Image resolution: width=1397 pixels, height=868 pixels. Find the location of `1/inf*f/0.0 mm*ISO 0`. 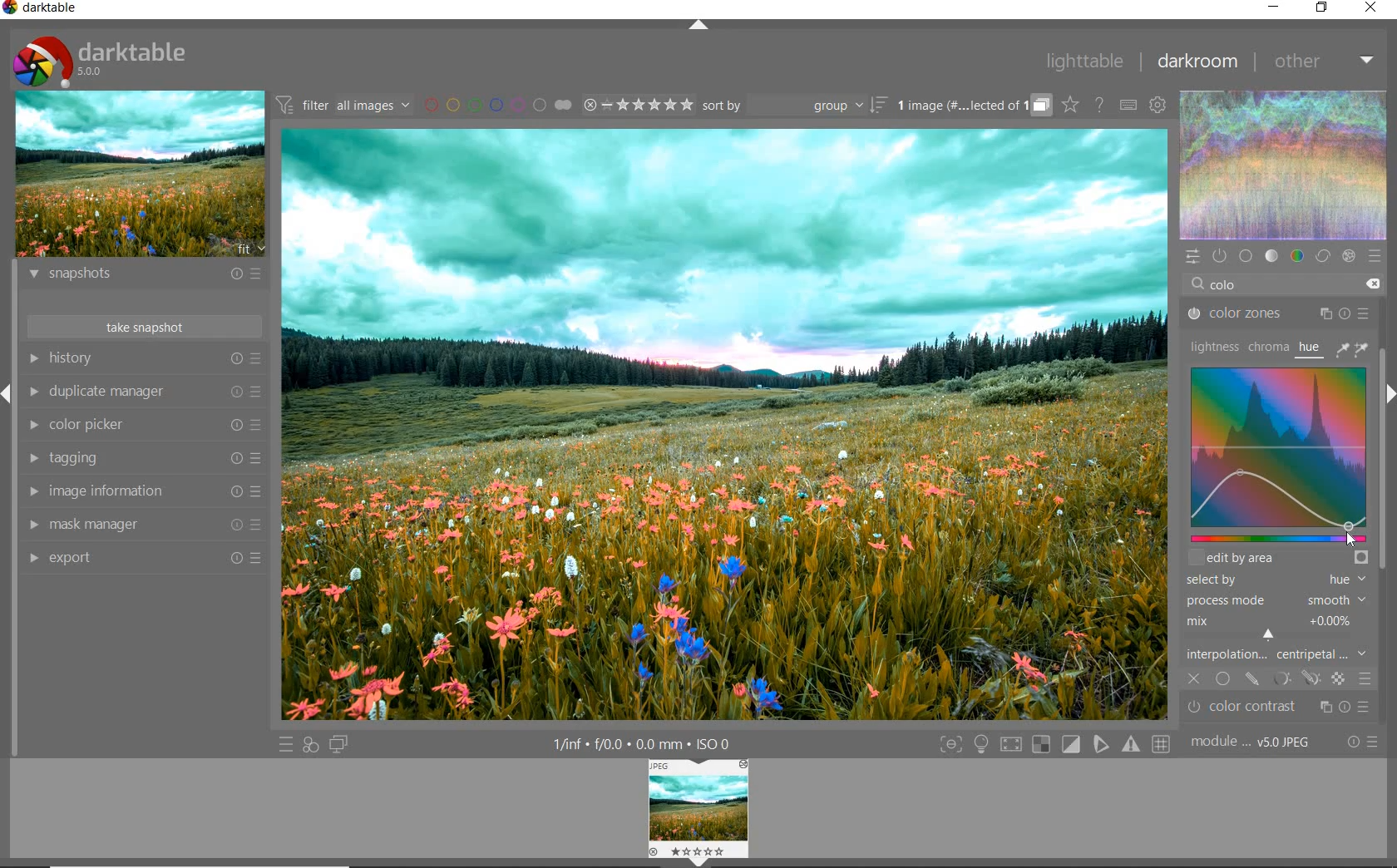

1/inf*f/0.0 mm*ISO 0 is located at coordinates (640, 742).